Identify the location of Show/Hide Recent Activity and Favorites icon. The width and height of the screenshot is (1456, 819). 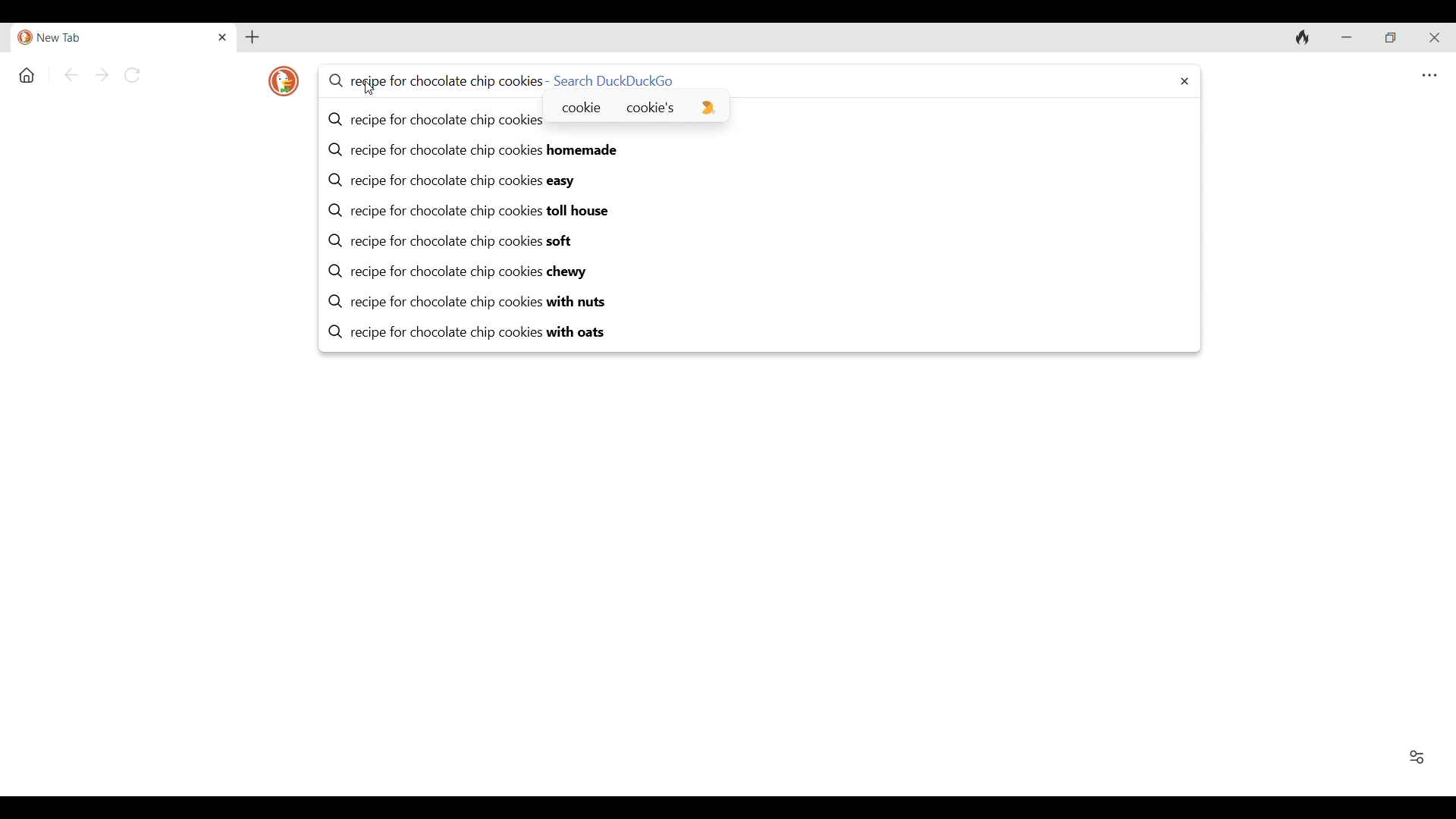
(1417, 758).